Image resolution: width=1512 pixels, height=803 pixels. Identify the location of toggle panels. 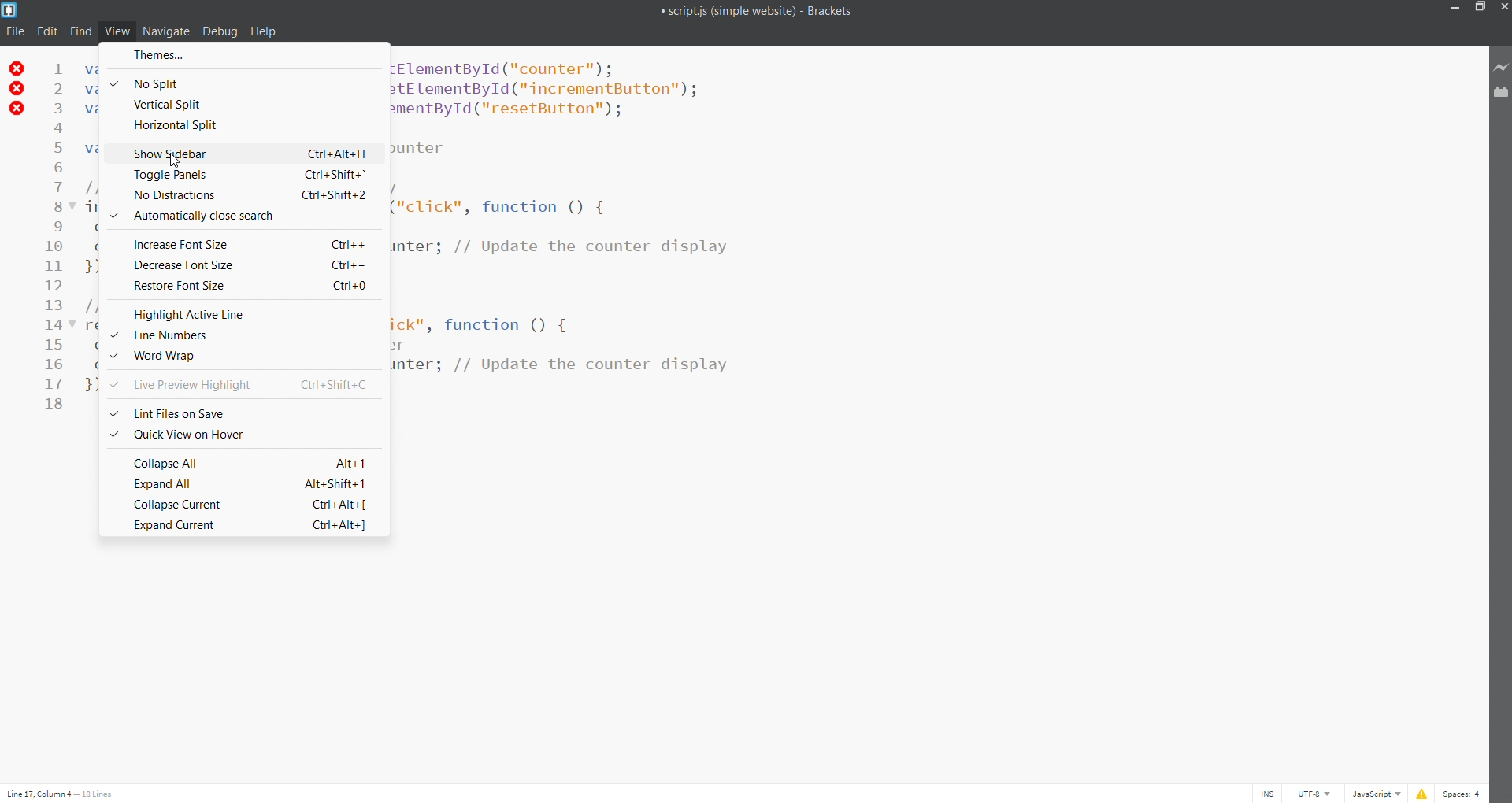
(244, 174).